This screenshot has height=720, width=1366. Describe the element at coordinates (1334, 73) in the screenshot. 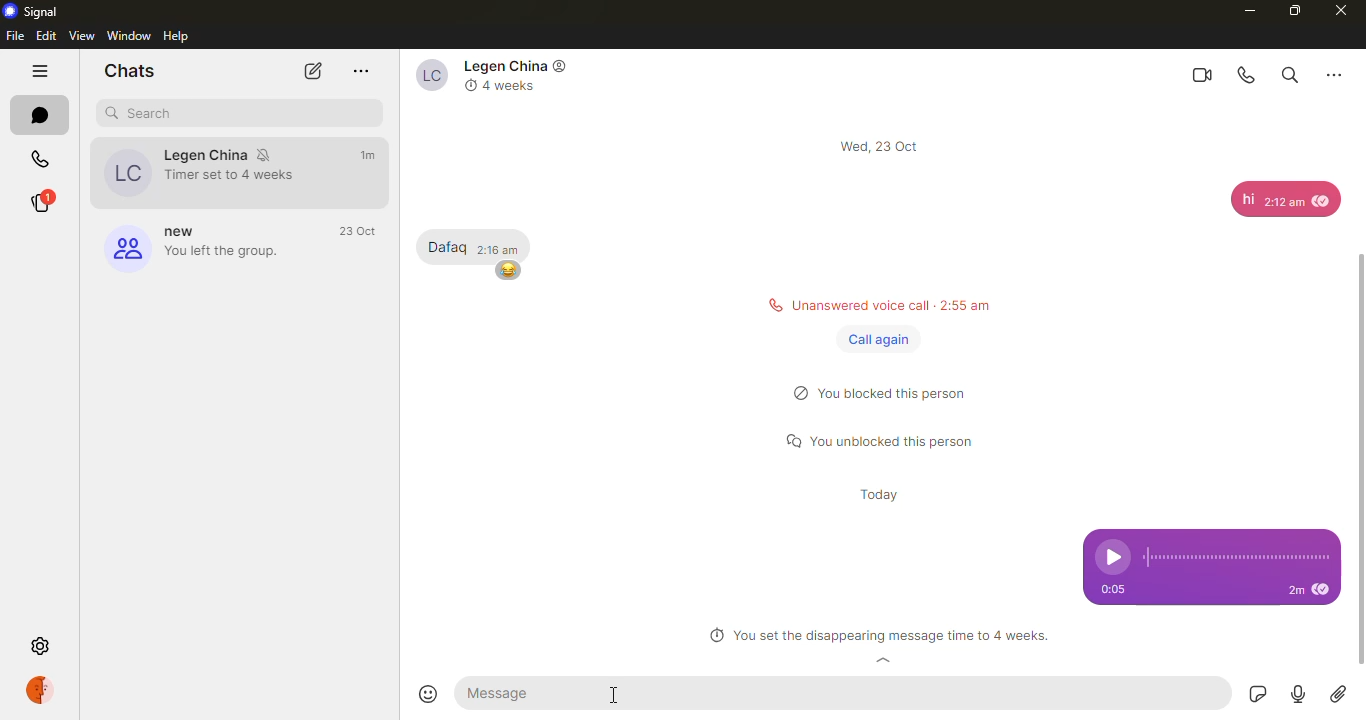

I see `more` at that location.